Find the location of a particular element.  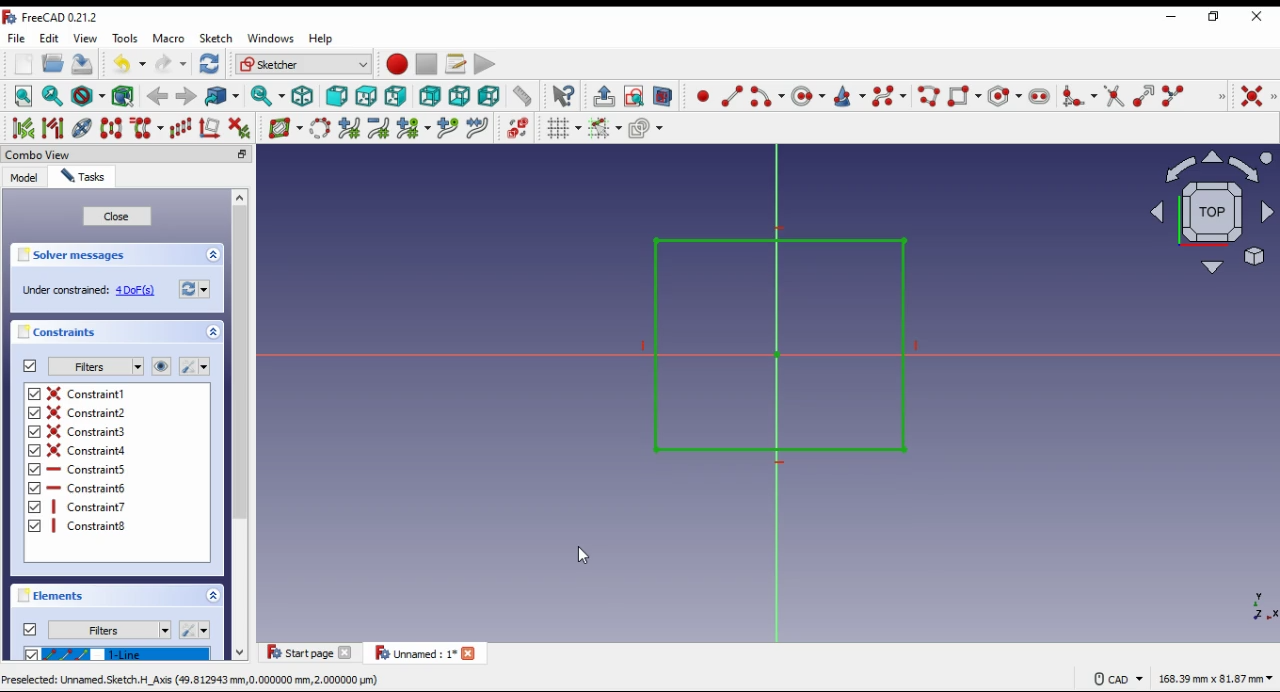

select associated constraints is located at coordinates (24, 128).